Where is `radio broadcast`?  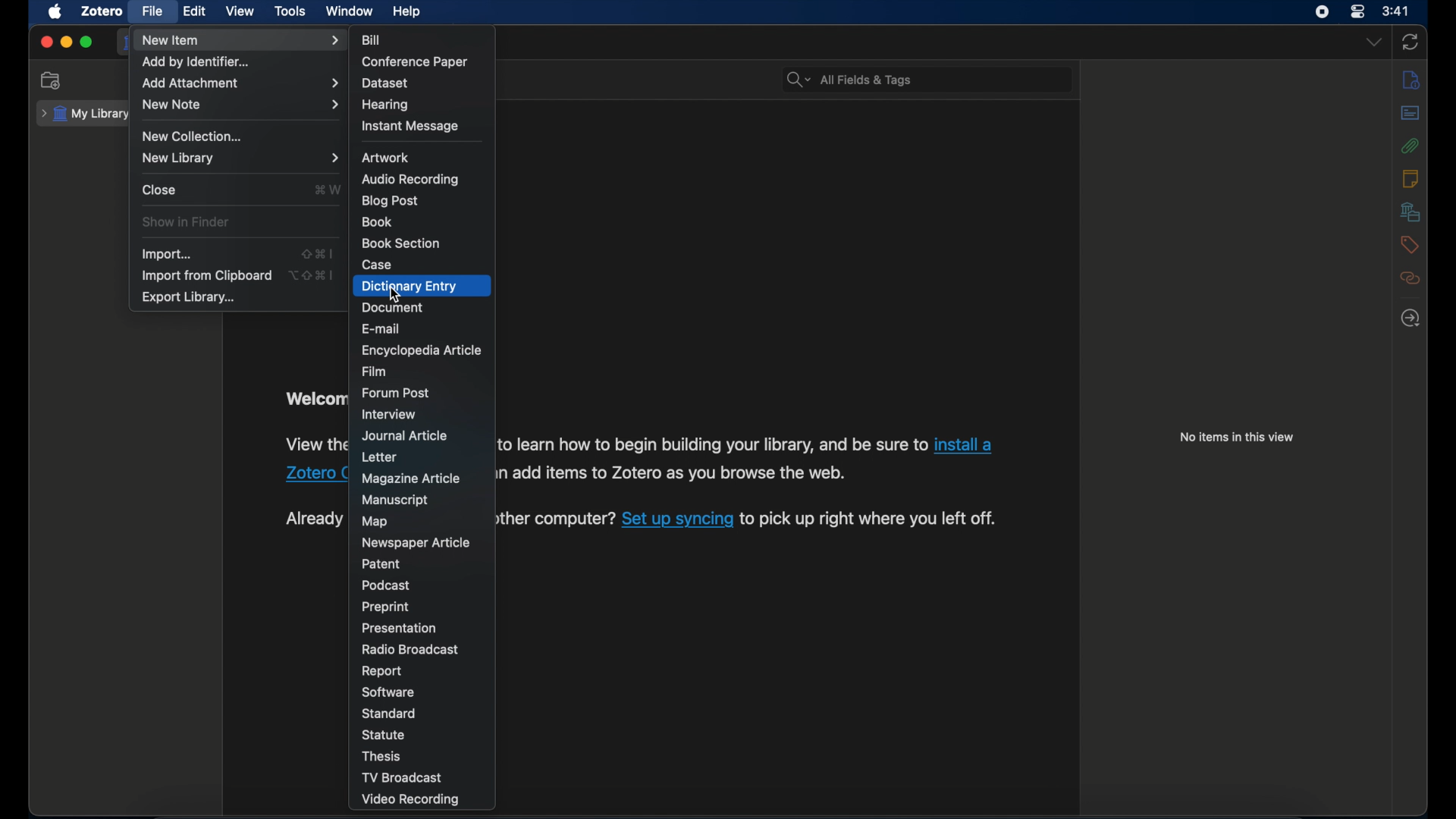 radio broadcast is located at coordinates (411, 650).